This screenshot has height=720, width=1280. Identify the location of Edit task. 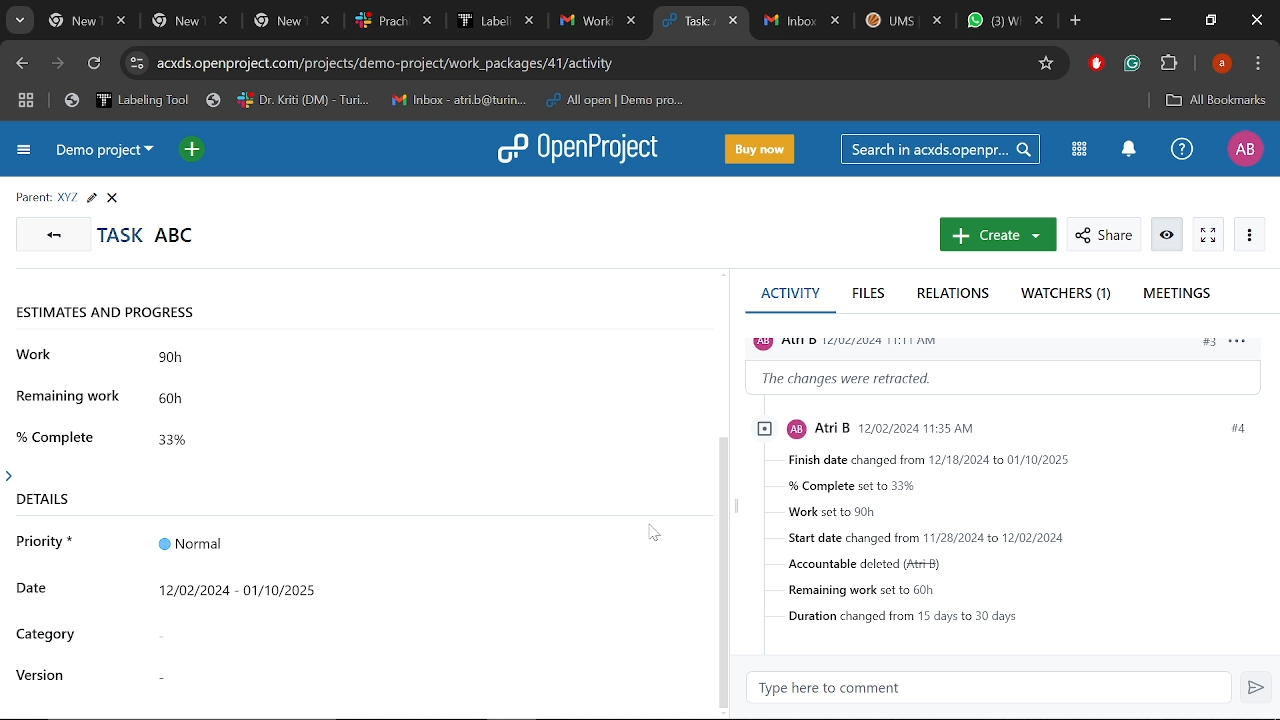
(91, 198).